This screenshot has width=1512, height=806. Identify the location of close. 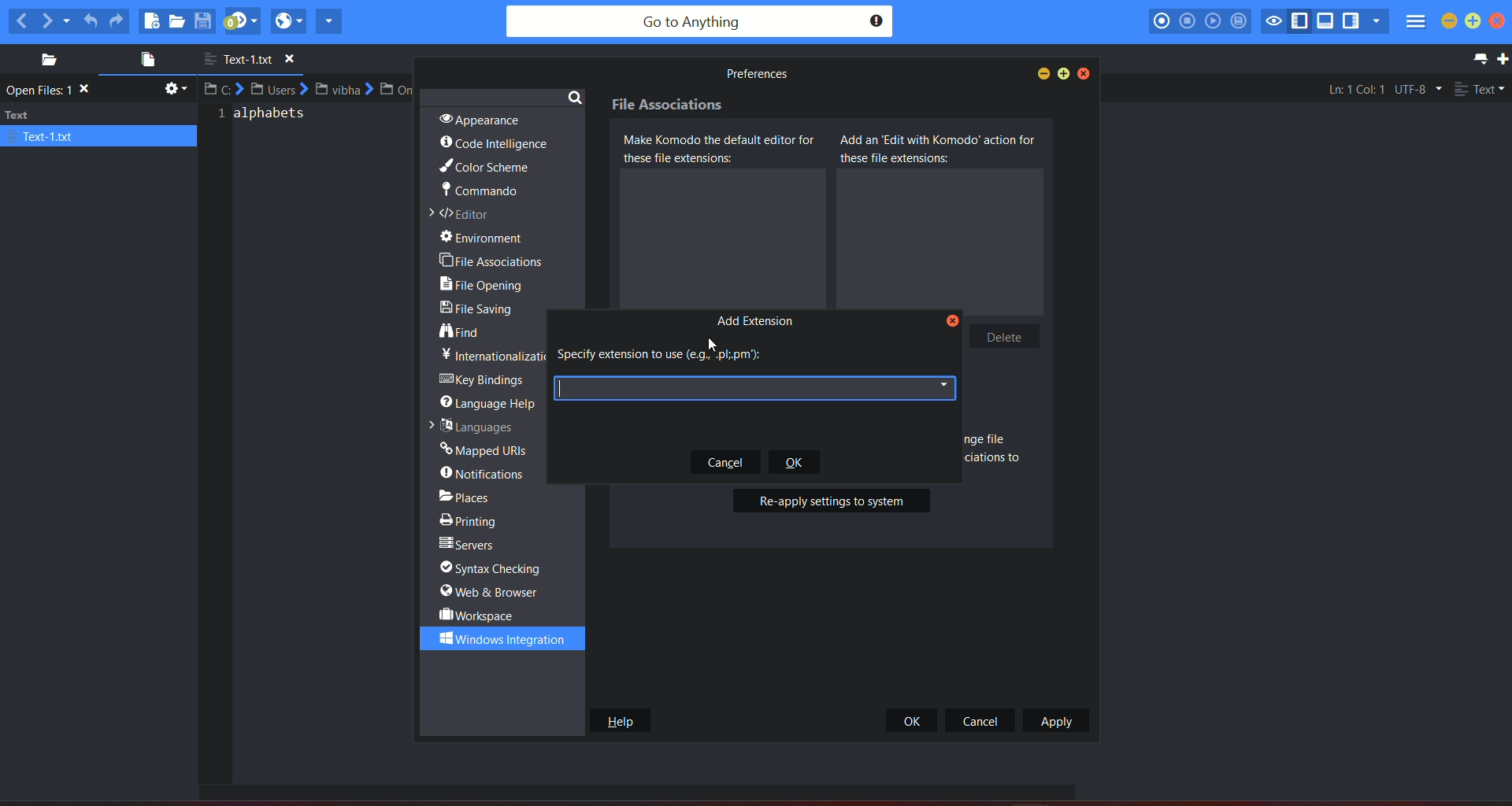
(1085, 73).